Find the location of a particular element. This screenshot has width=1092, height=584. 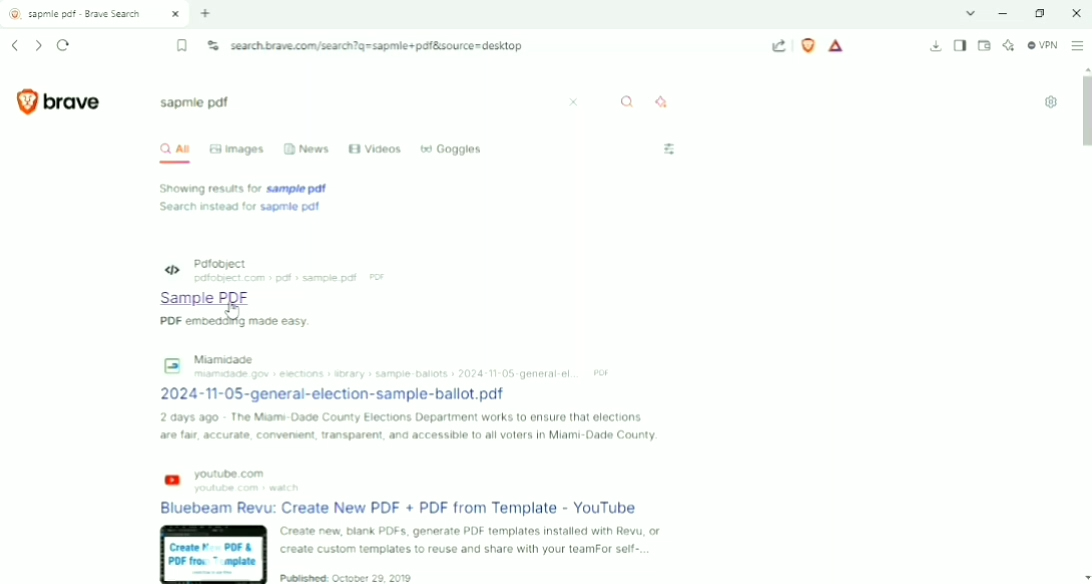

Leo AI is located at coordinates (1008, 46).